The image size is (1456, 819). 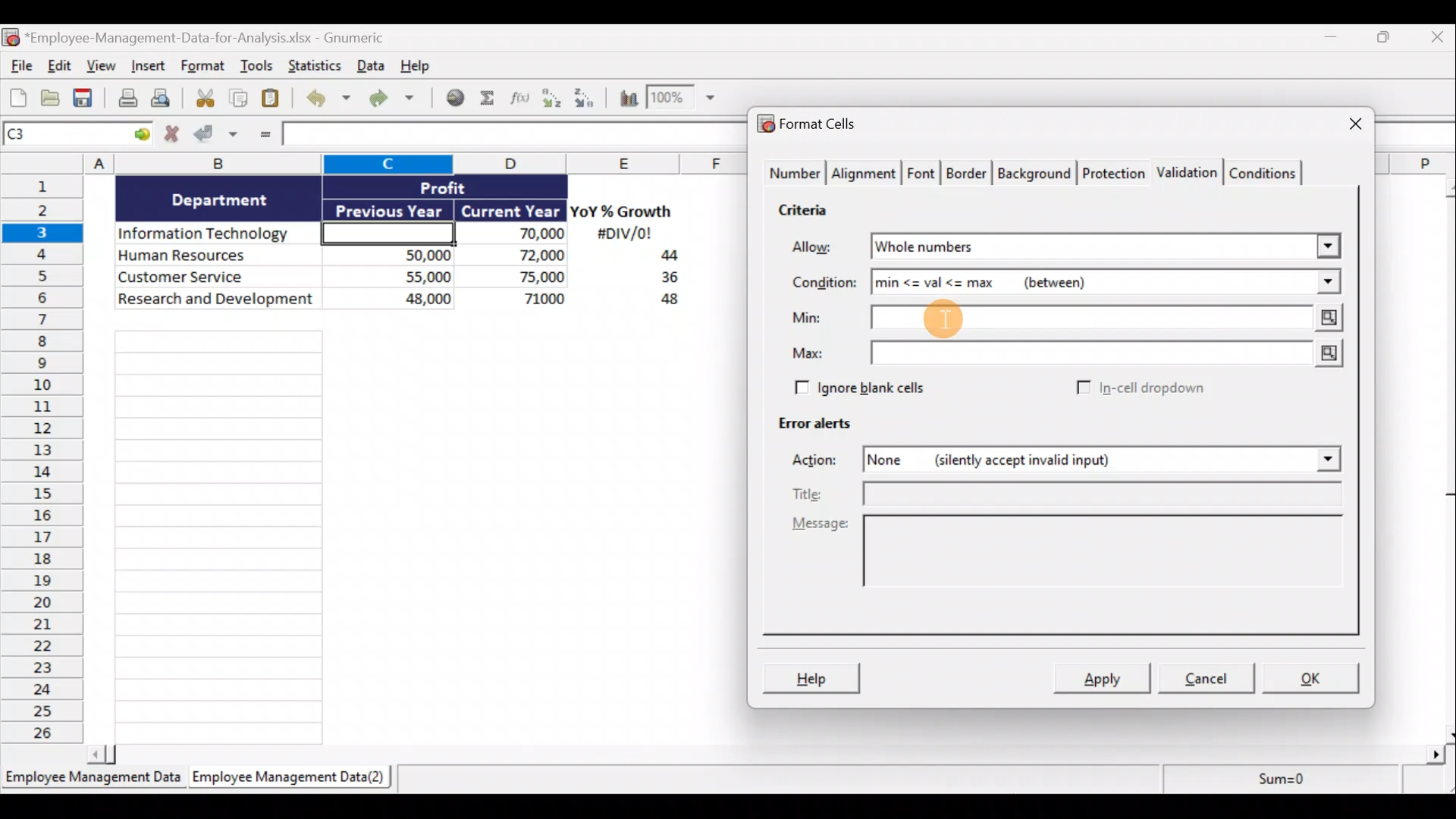 What do you see at coordinates (509, 212) in the screenshot?
I see `Current Year` at bounding box center [509, 212].